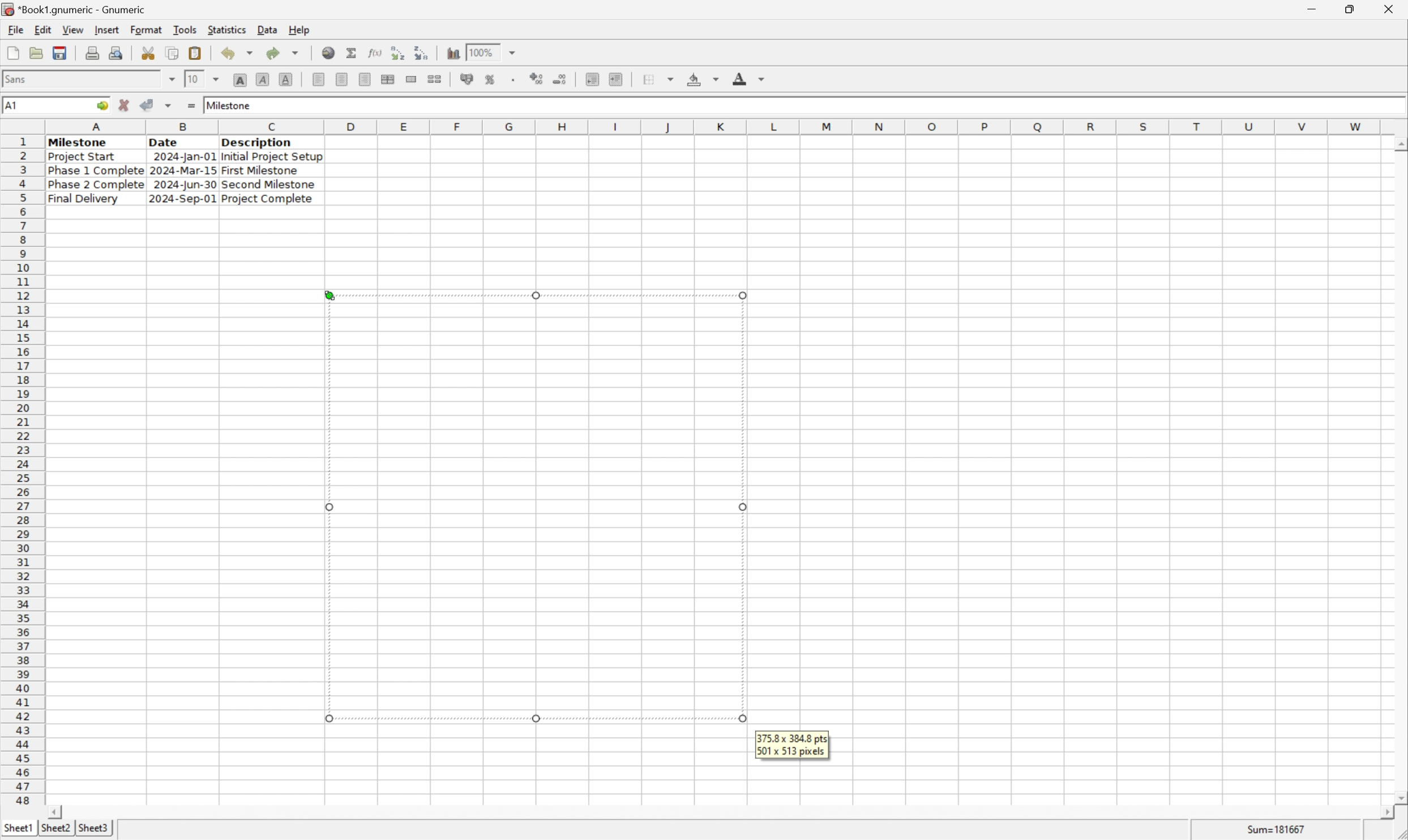  Describe the element at coordinates (128, 106) in the screenshot. I see `cancel changes` at that location.